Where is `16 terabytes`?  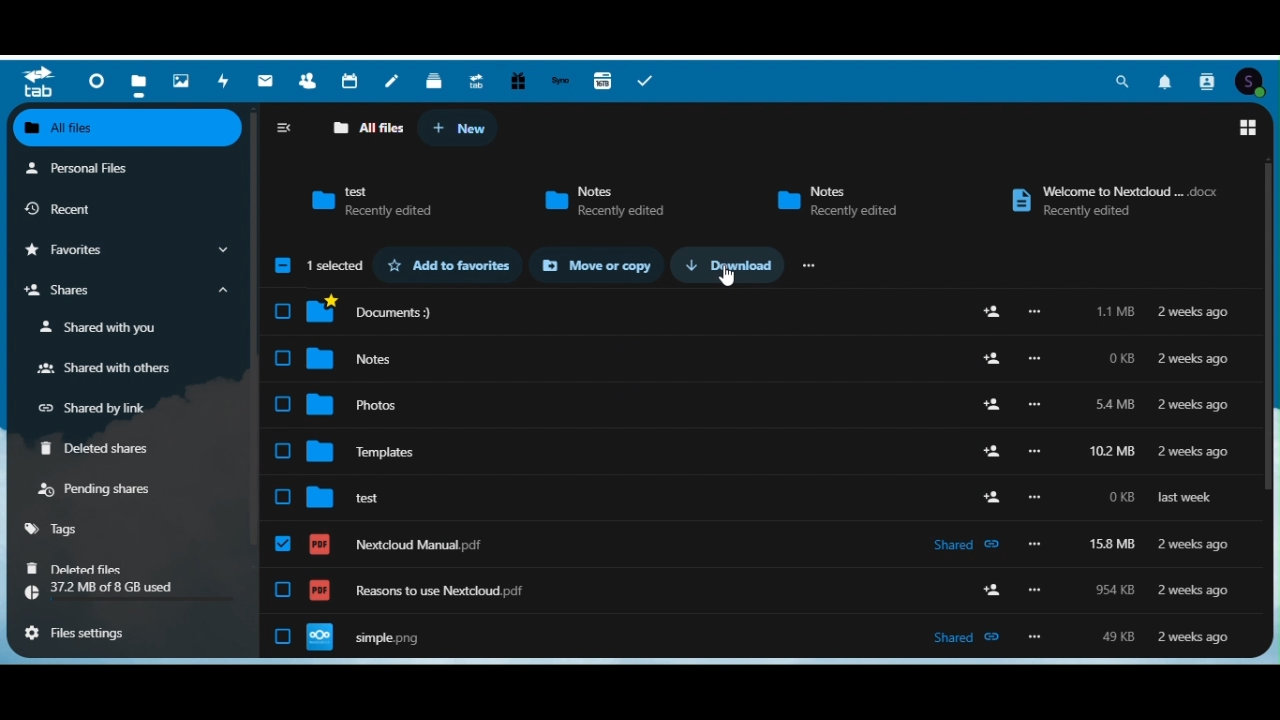
16 terabytes is located at coordinates (603, 81).